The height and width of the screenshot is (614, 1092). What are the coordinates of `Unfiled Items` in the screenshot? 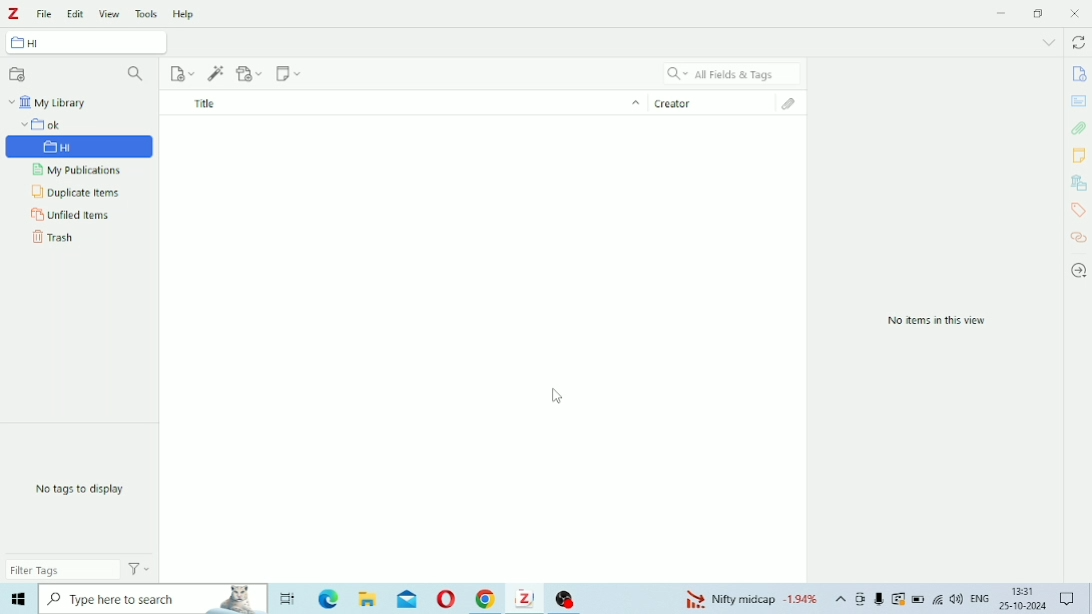 It's located at (73, 214).